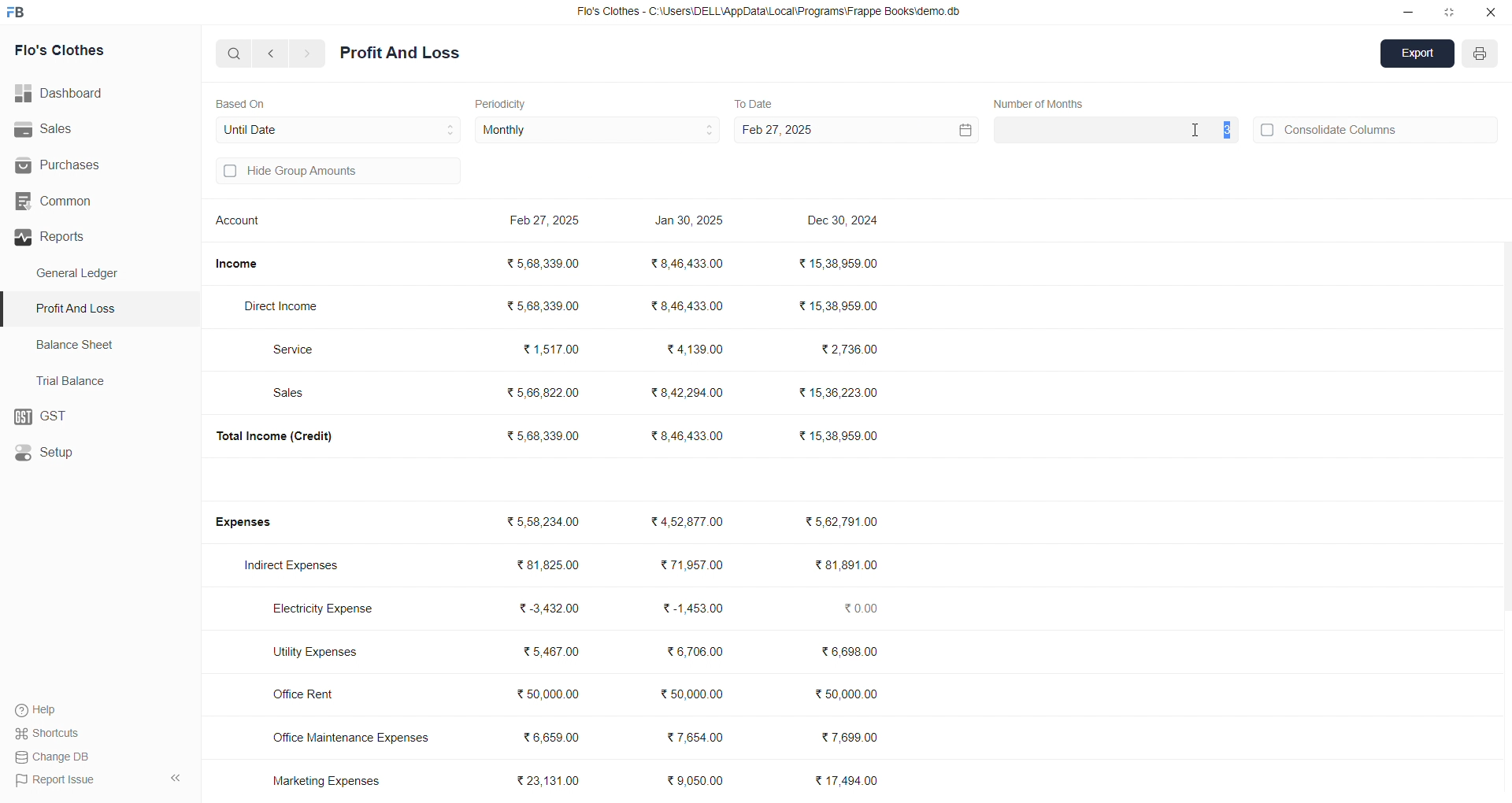  What do you see at coordinates (1195, 131) in the screenshot?
I see `cursor` at bounding box center [1195, 131].